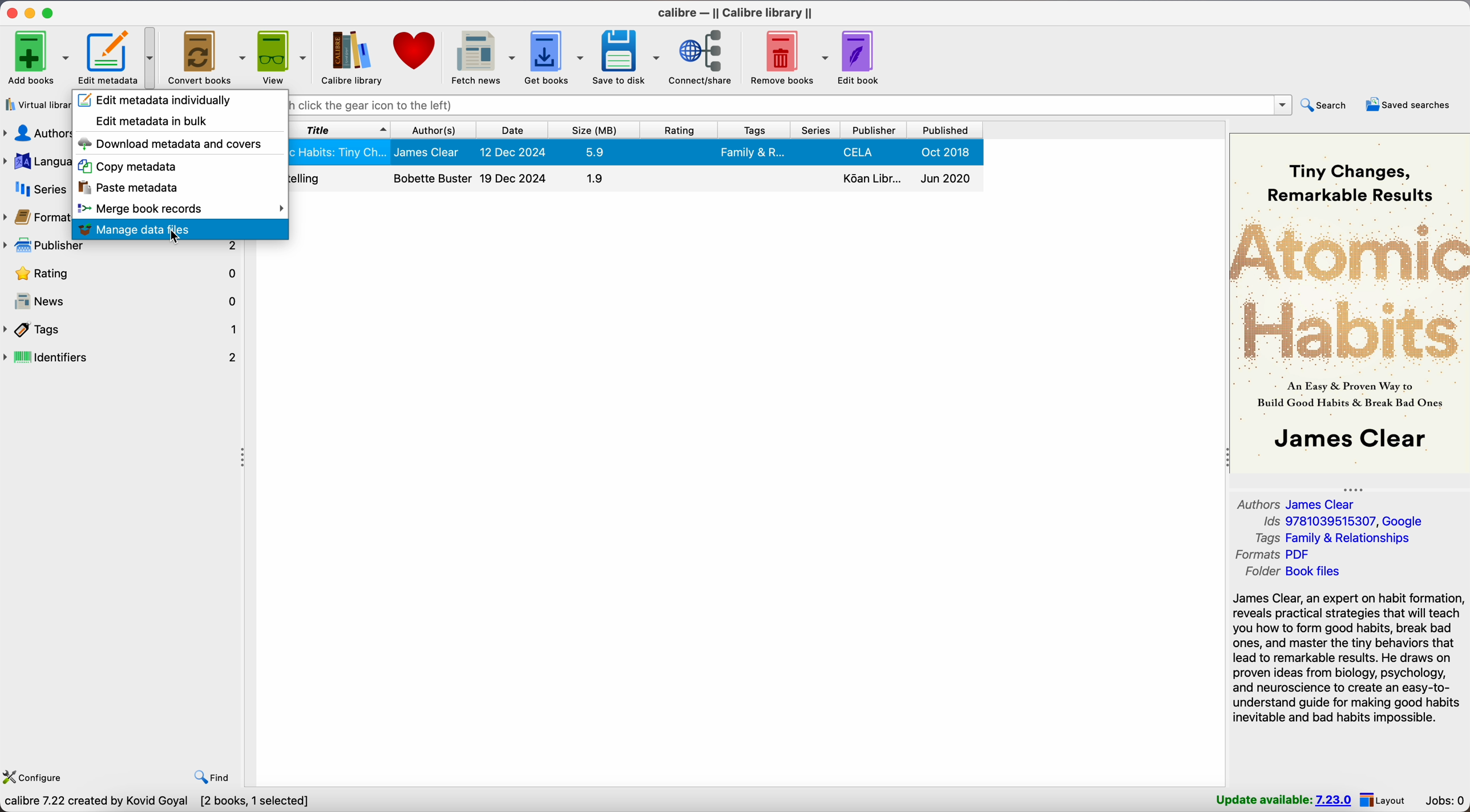 Image resolution: width=1470 pixels, height=812 pixels. Describe the element at coordinates (1295, 572) in the screenshot. I see `folder Book files` at that location.